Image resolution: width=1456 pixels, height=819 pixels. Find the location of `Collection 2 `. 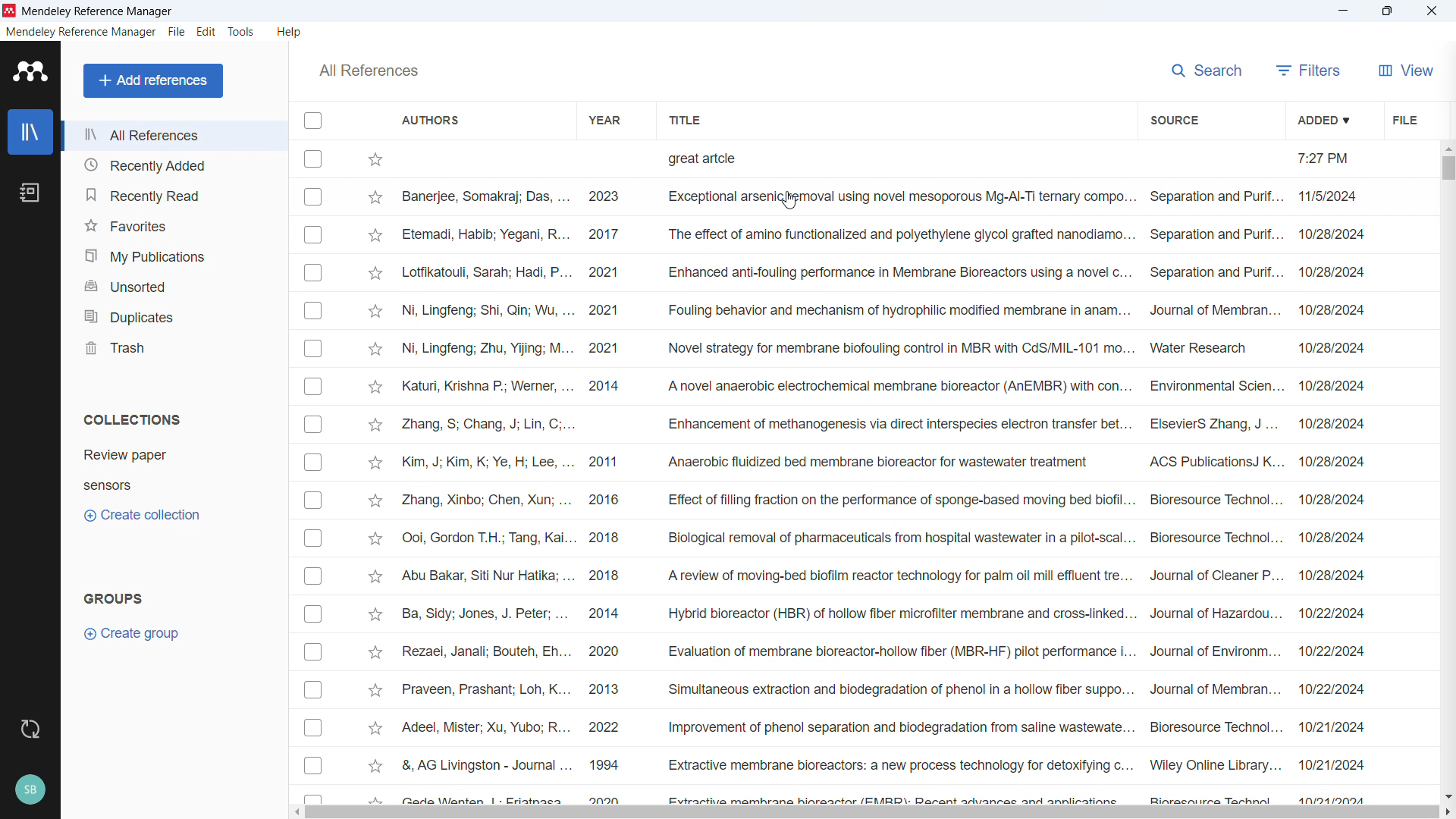

Collection 2  is located at coordinates (107, 485).